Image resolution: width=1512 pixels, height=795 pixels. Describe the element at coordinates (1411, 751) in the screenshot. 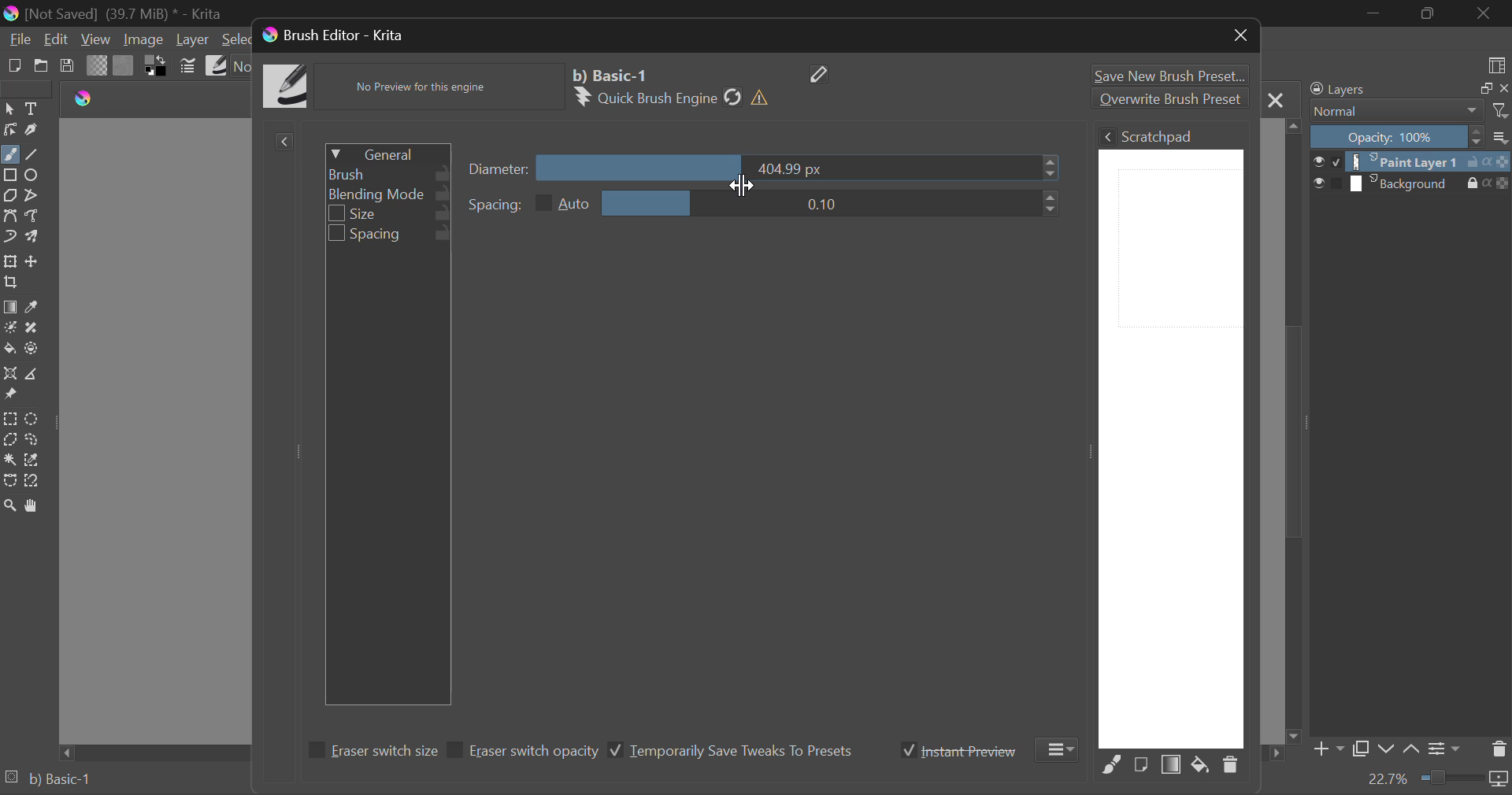

I see `Move Layer Up` at that location.